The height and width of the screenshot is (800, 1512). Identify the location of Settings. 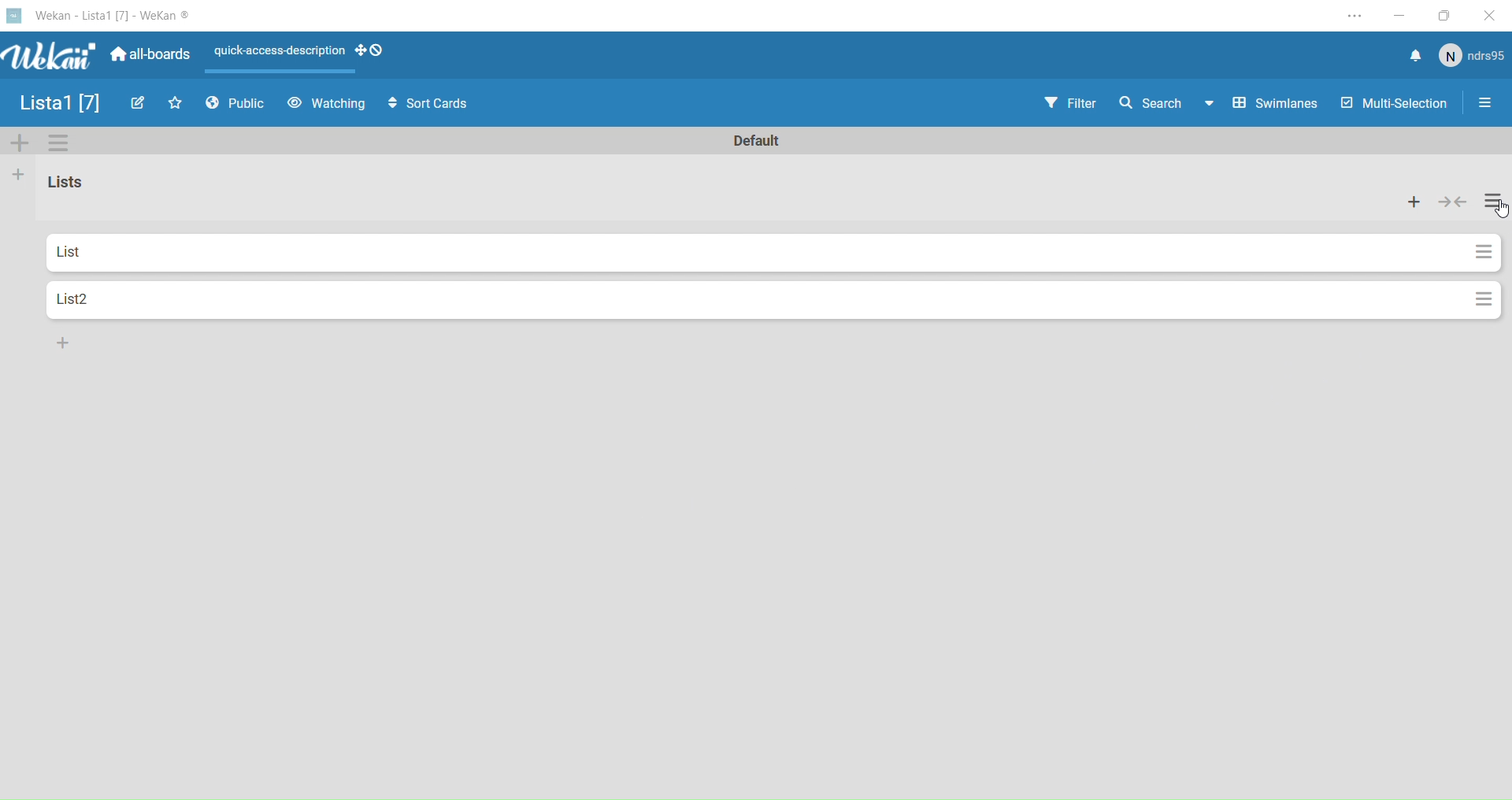
(64, 143).